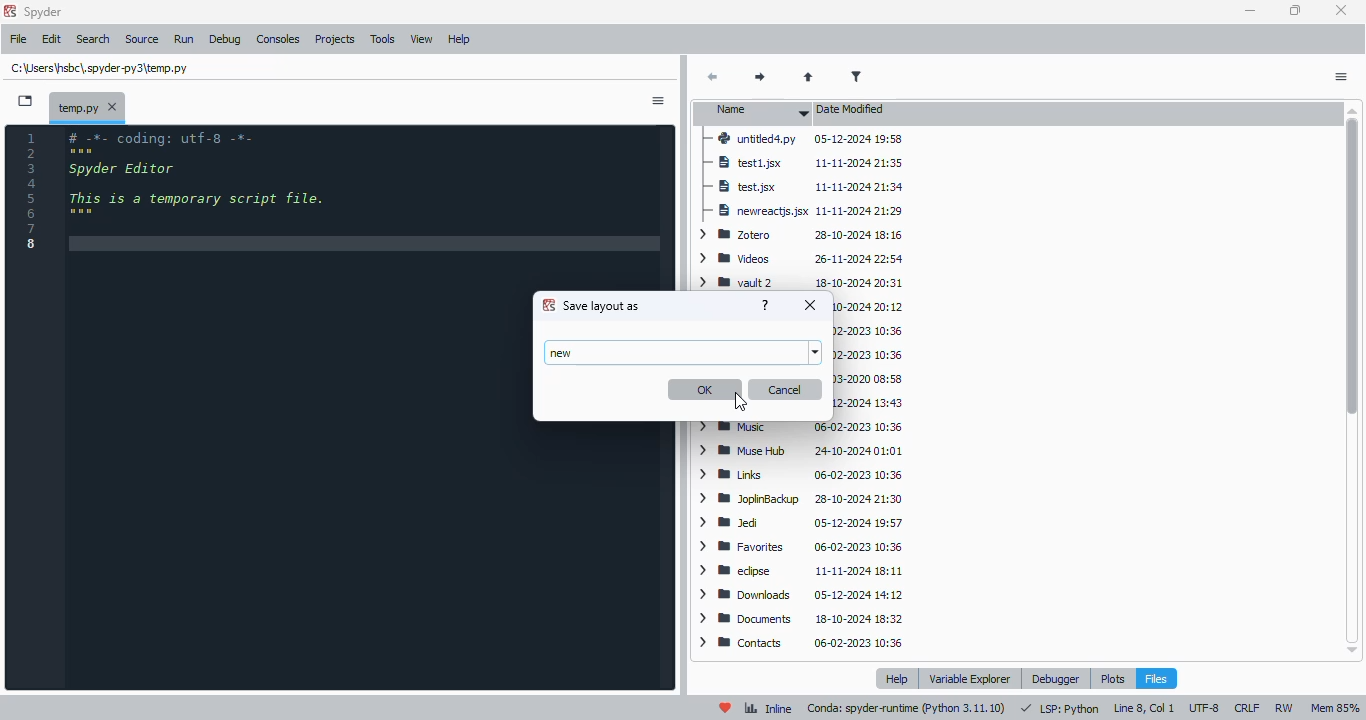 The image size is (1366, 720). What do you see at coordinates (1337, 707) in the screenshot?
I see `Mem 85%` at bounding box center [1337, 707].